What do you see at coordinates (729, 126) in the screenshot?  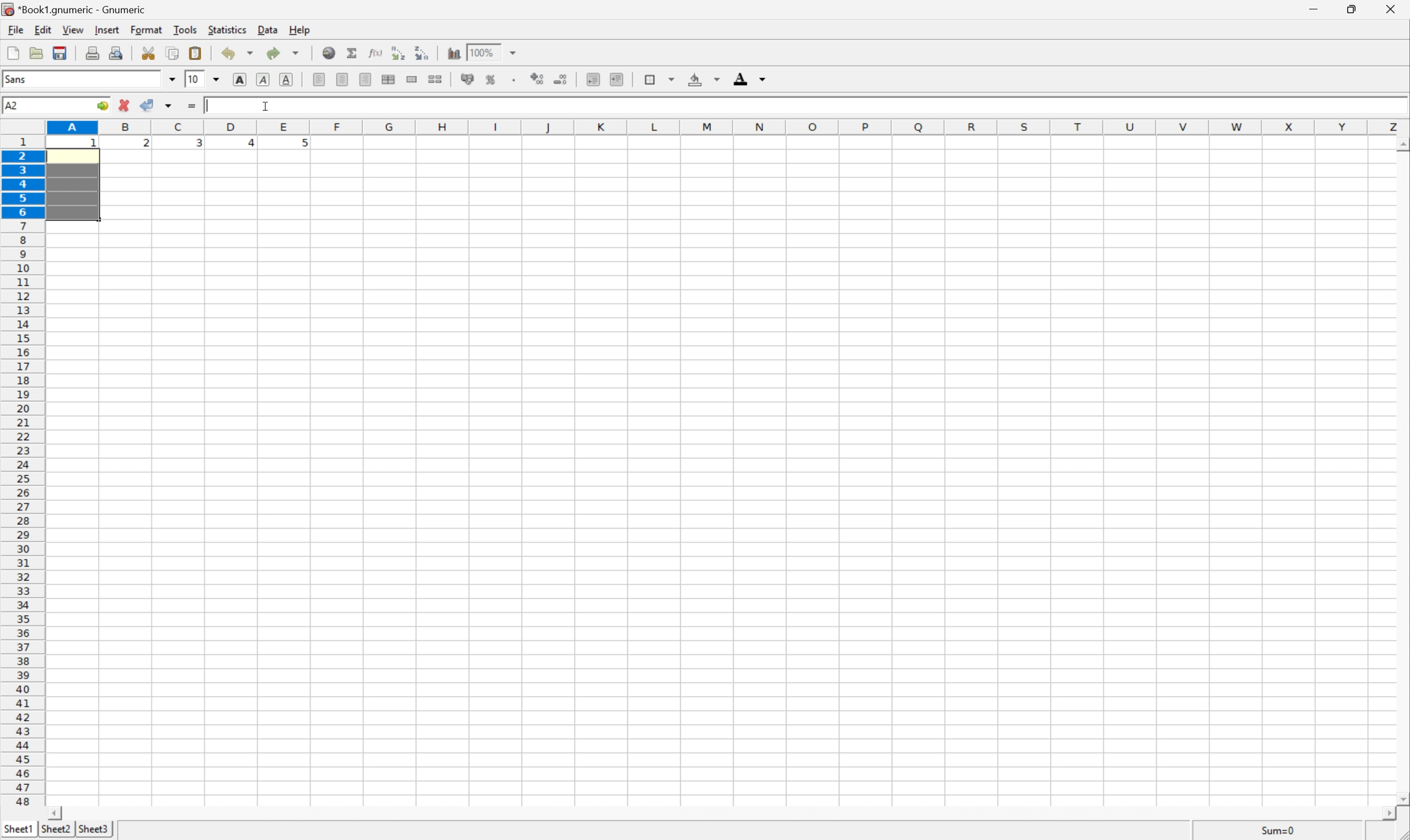 I see `column names` at bounding box center [729, 126].